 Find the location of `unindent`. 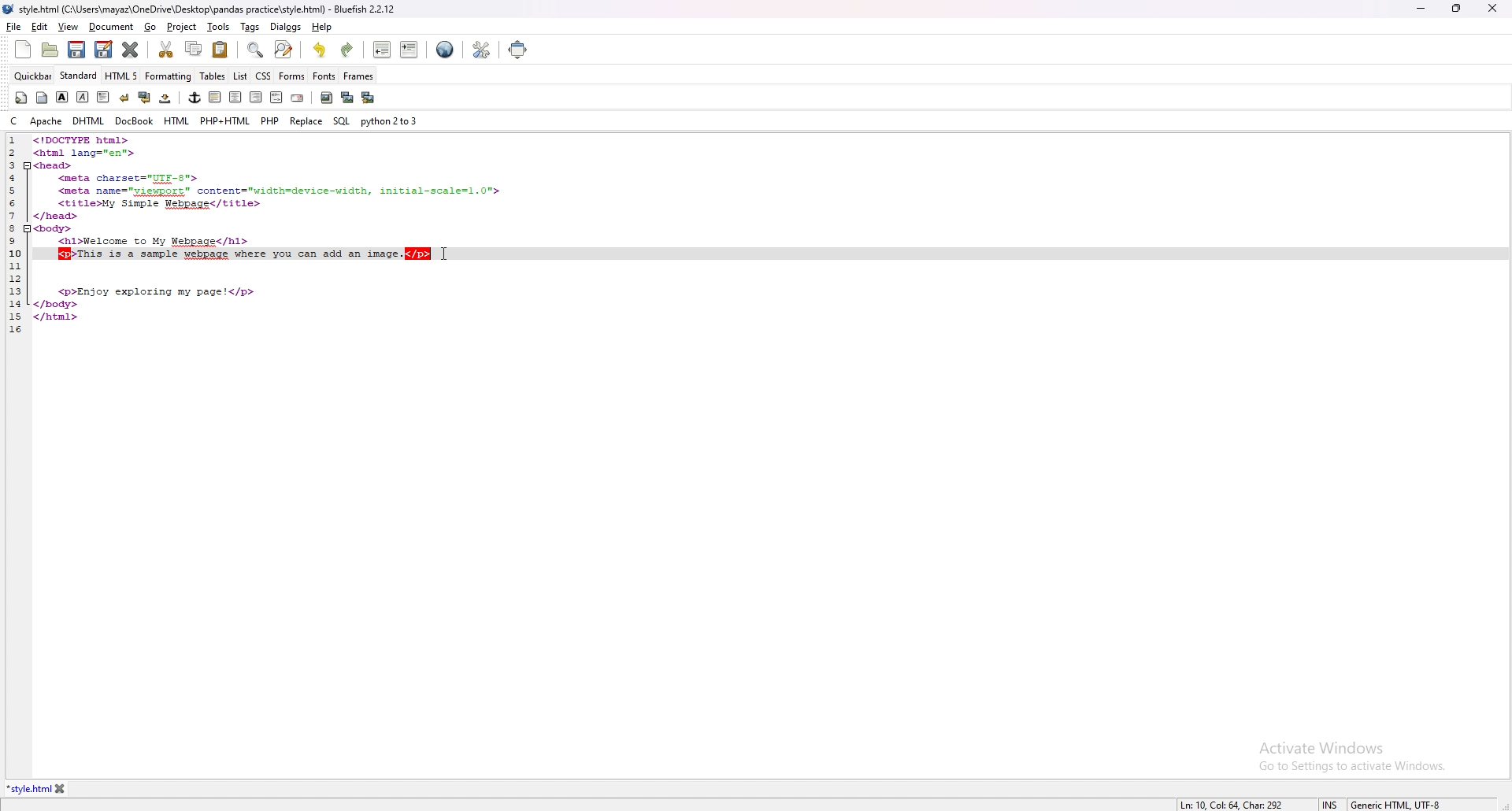

unindent is located at coordinates (381, 50).